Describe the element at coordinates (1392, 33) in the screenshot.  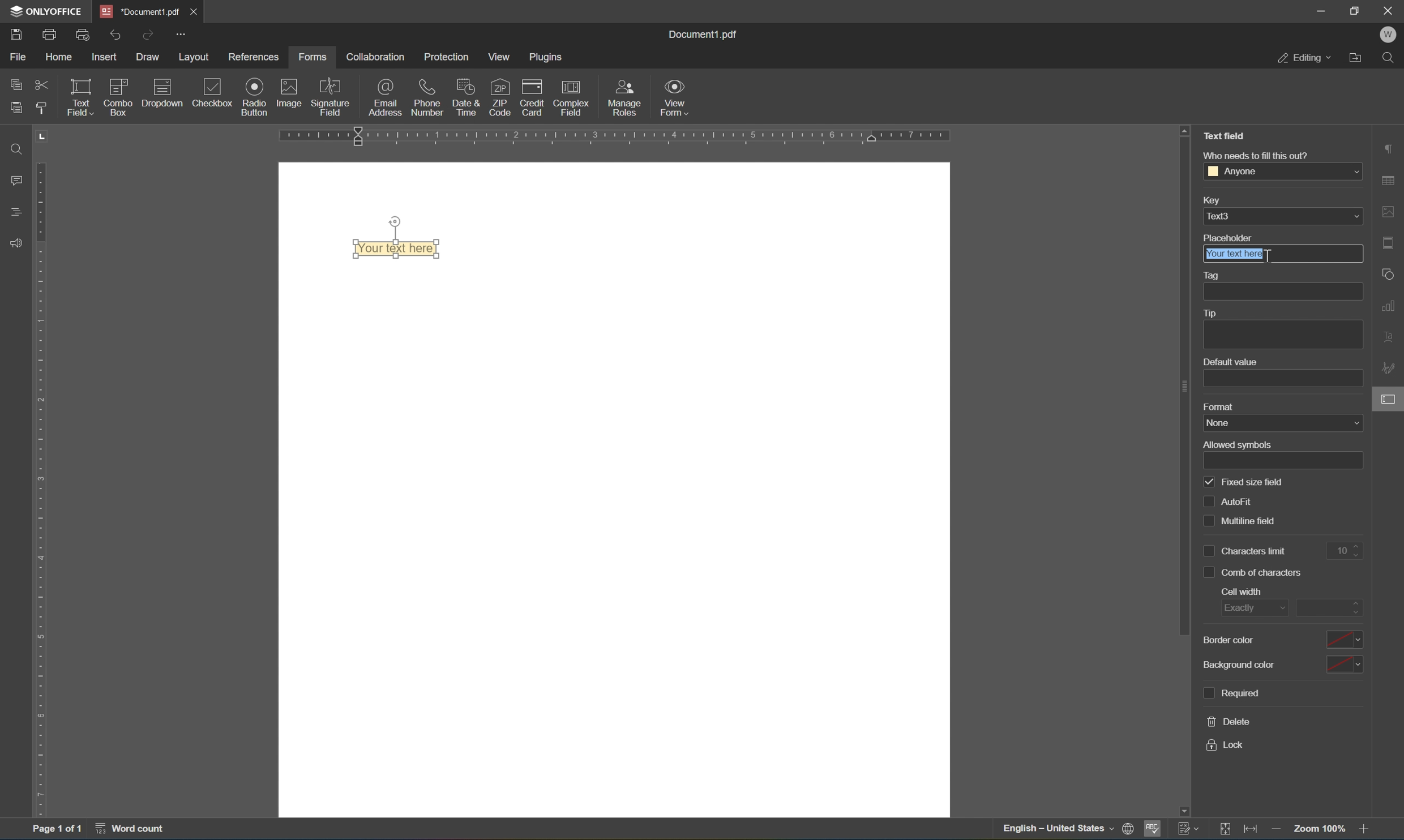
I see `W` at that location.